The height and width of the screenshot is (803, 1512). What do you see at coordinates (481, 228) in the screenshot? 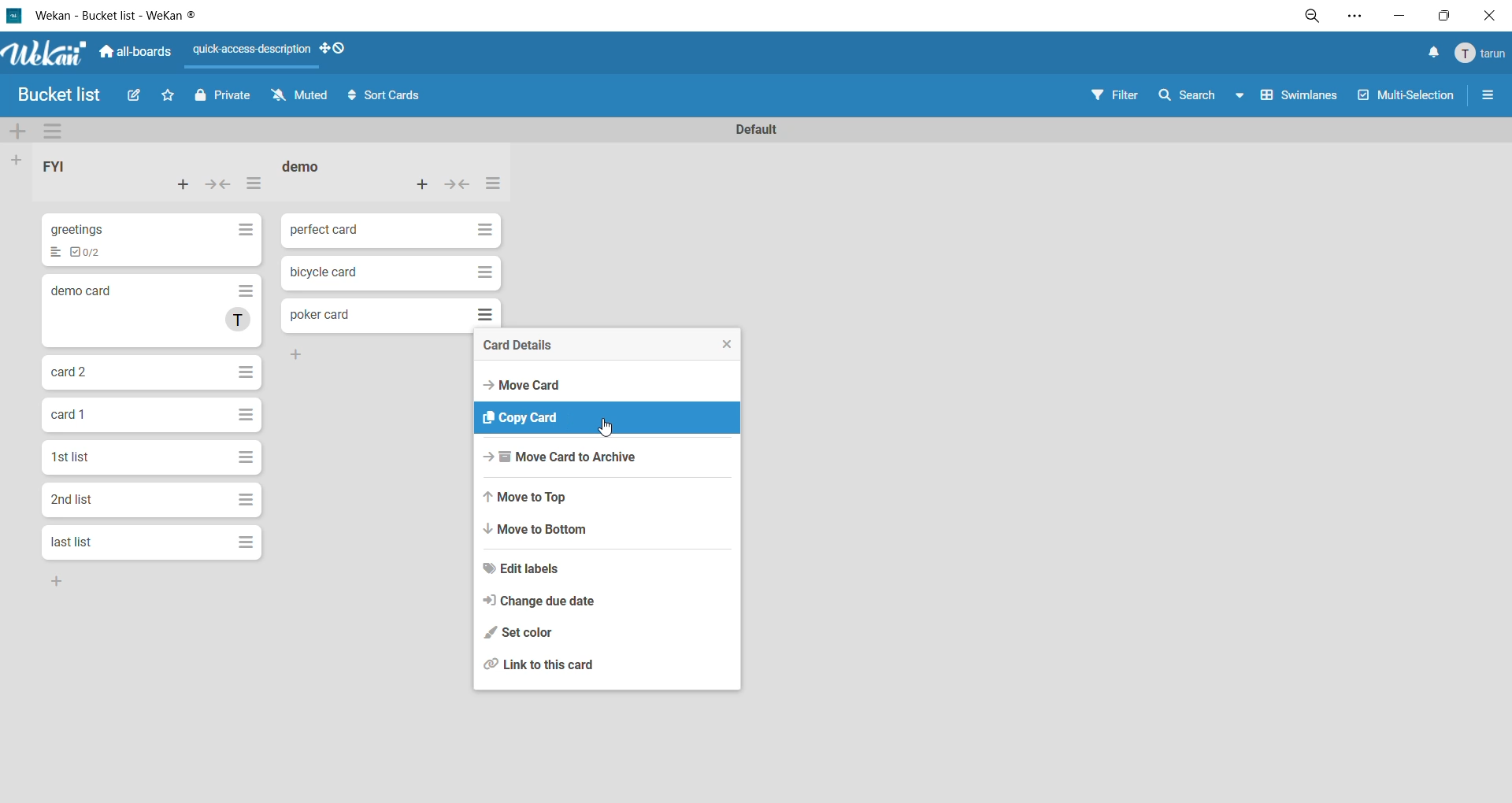
I see `Hamburger` at bounding box center [481, 228].